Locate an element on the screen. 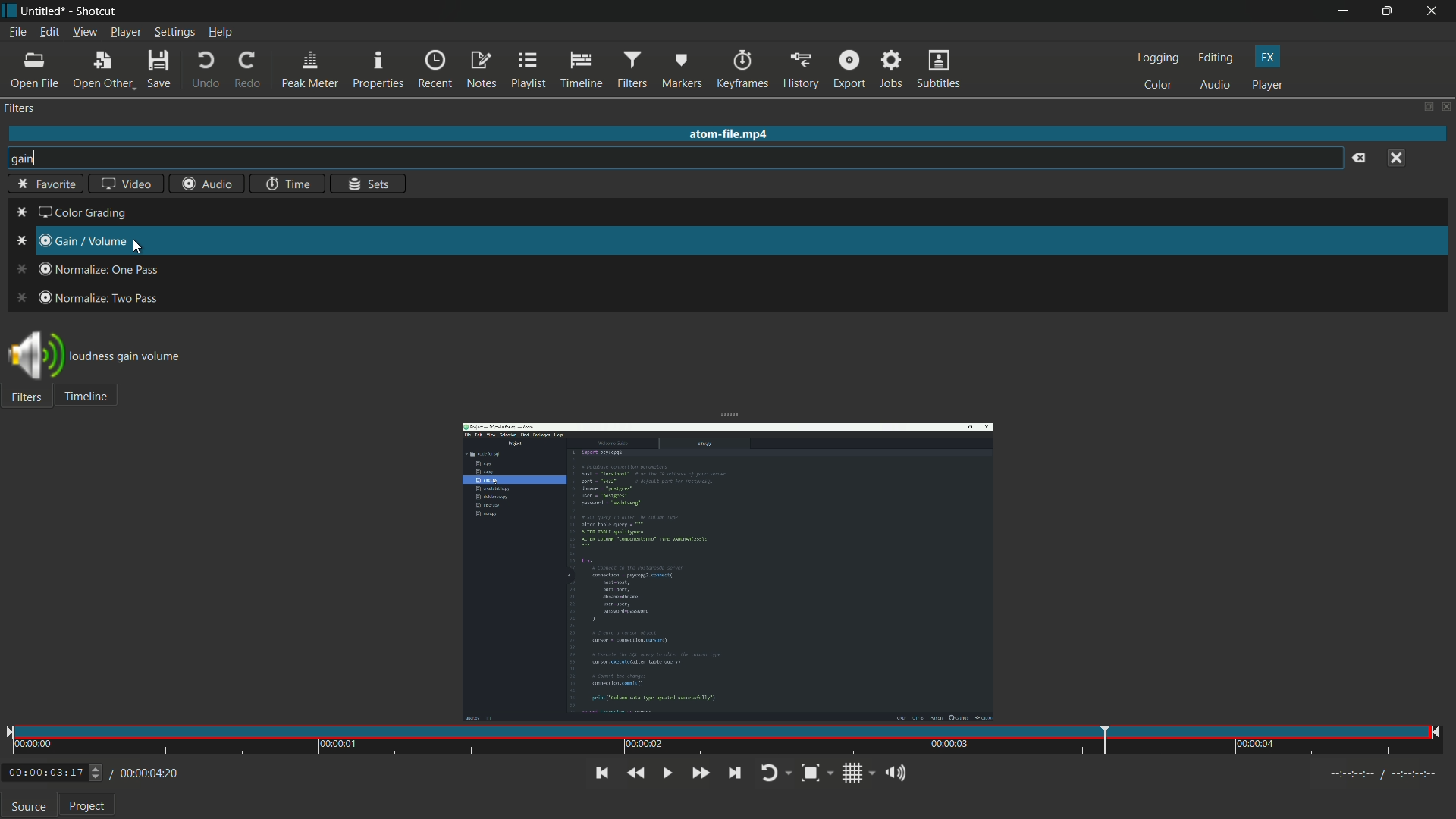 Image resolution: width=1456 pixels, height=819 pixels. undo is located at coordinates (206, 71).